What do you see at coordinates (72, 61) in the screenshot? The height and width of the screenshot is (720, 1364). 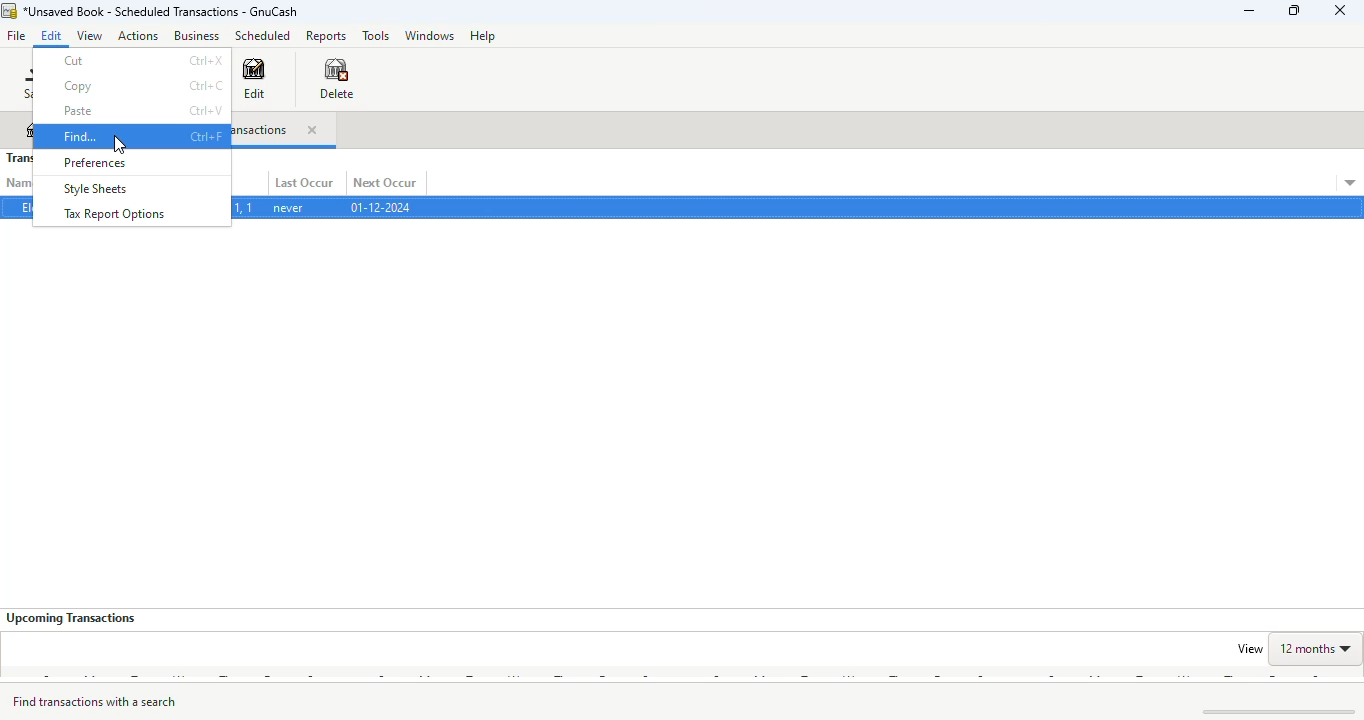 I see `cut` at bounding box center [72, 61].